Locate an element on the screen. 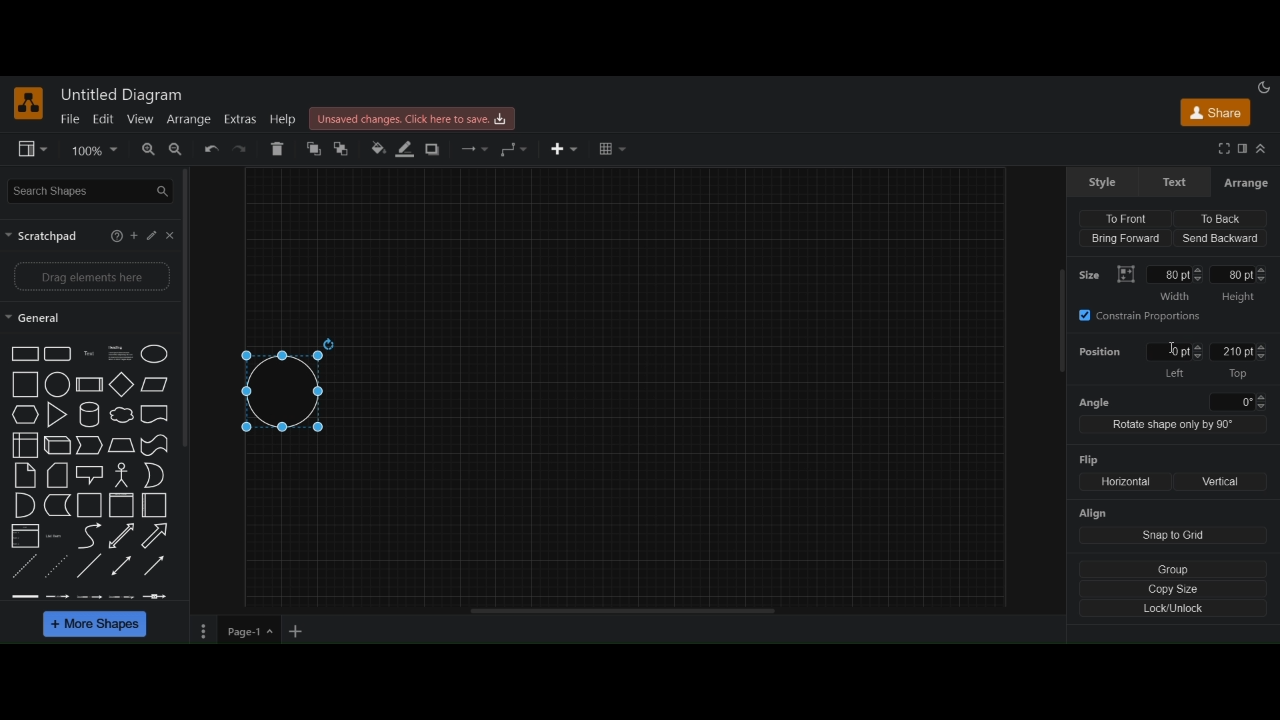 This screenshot has height=720, width=1280. trapezium is located at coordinates (155, 383).